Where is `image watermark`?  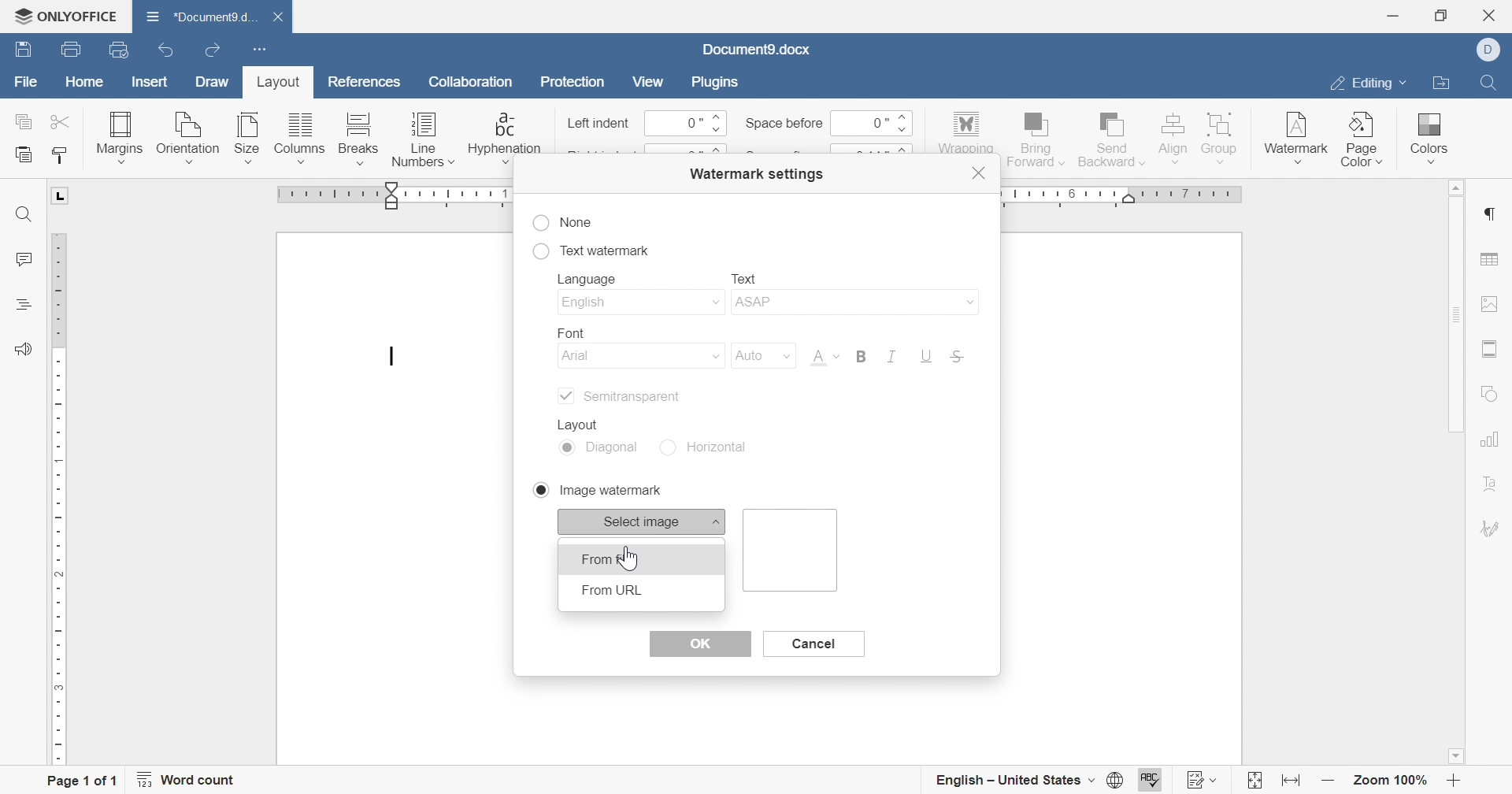 image watermark is located at coordinates (595, 489).